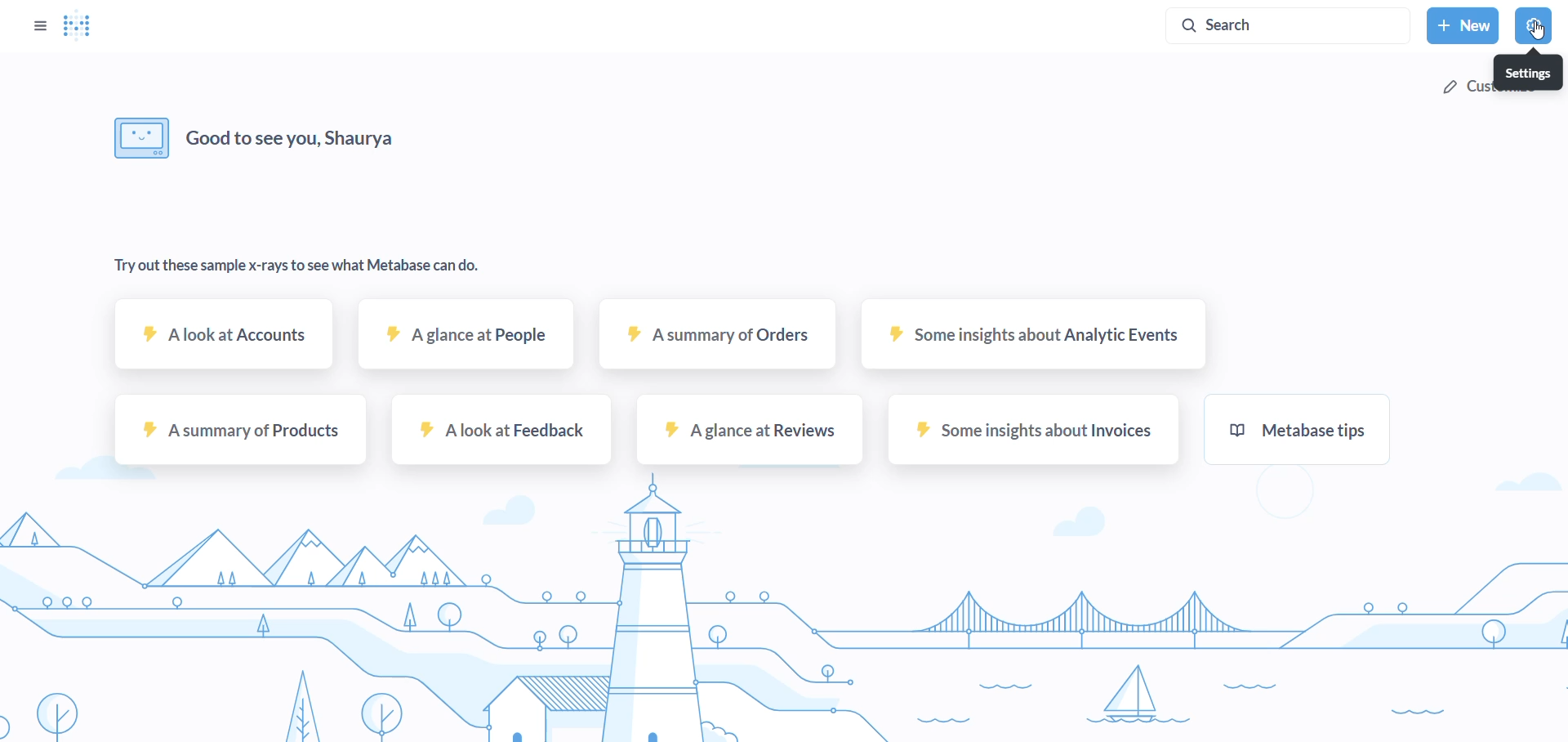 The image size is (1568, 742). Describe the element at coordinates (1463, 25) in the screenshot. I see `new ` at that location.